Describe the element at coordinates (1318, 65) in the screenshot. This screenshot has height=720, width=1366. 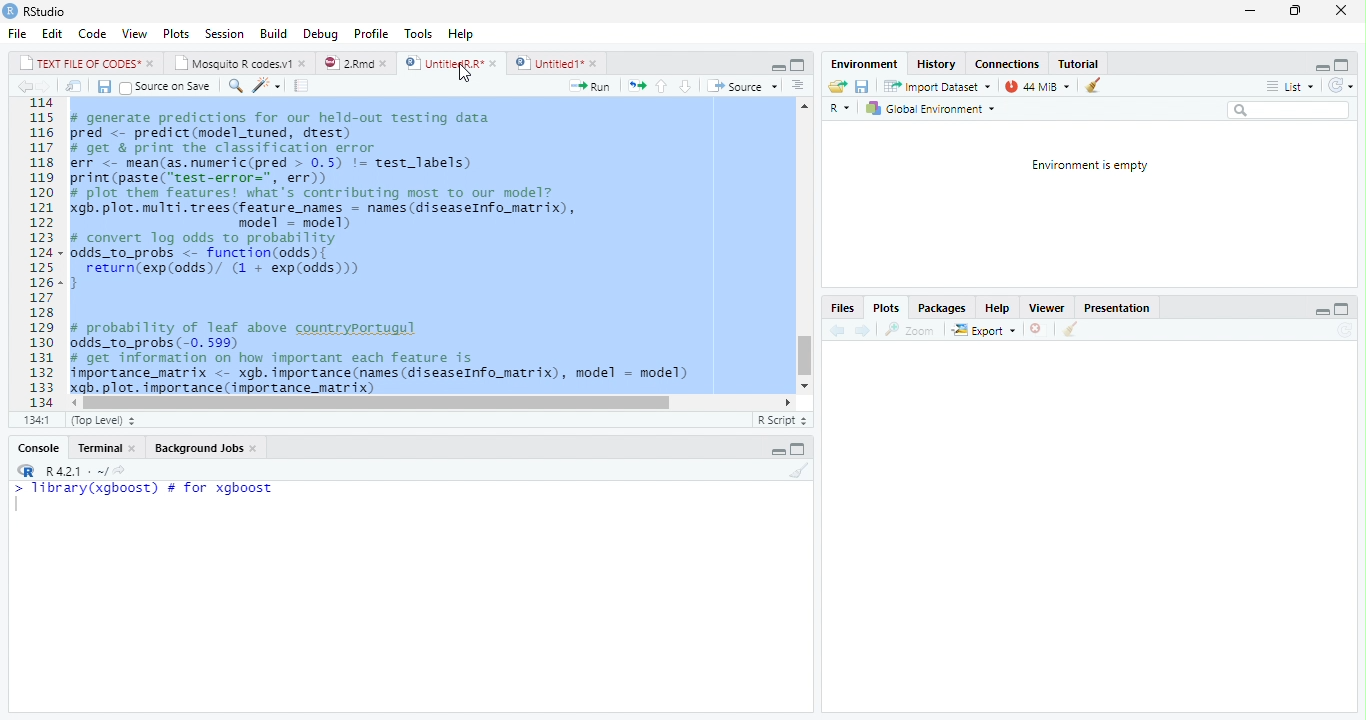
I see `Minimize` at that location.